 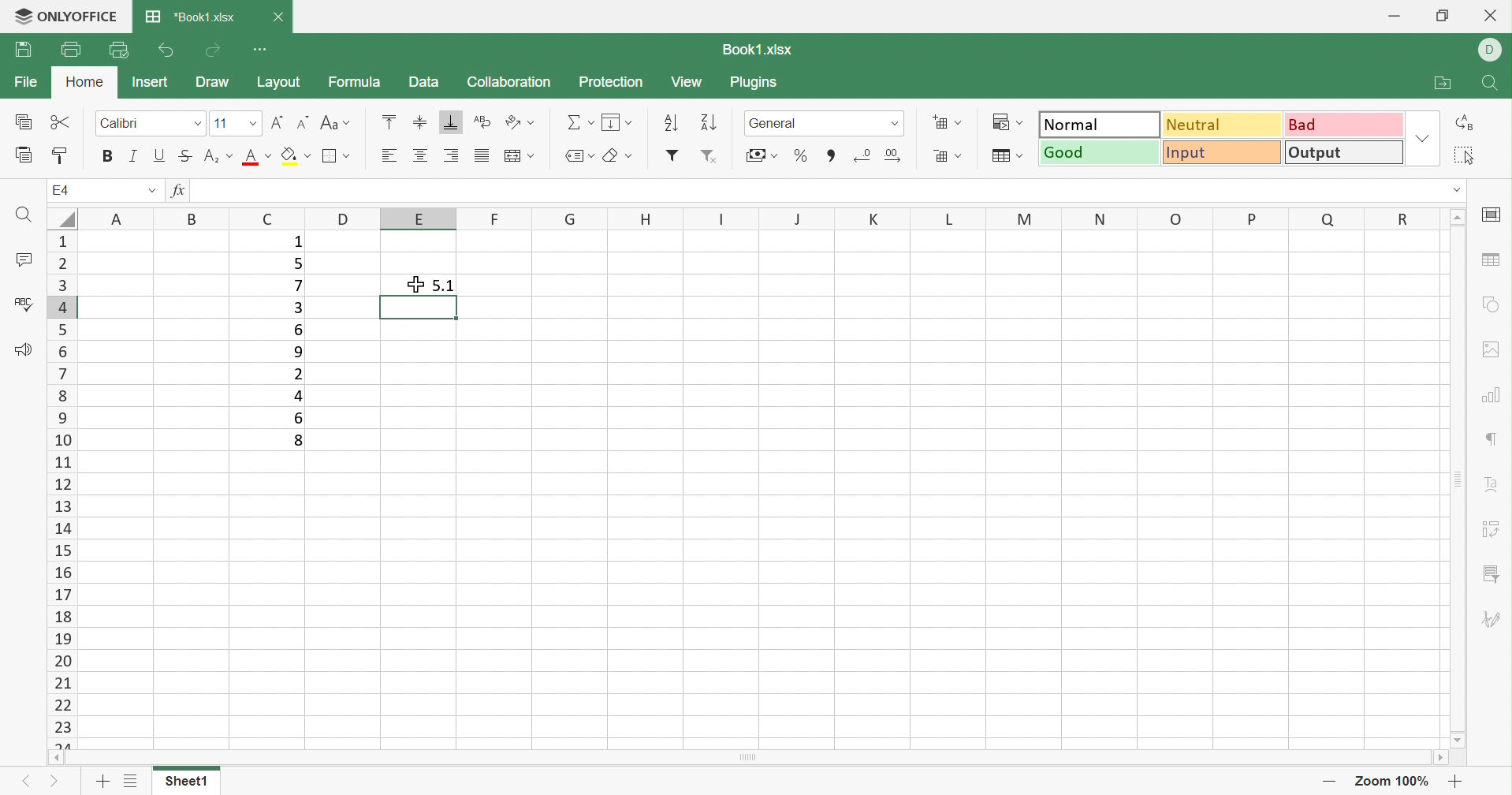 What do you see at coordinates (298, 308) in the screenshot?
I see `3` at bounding box center [298, 308].